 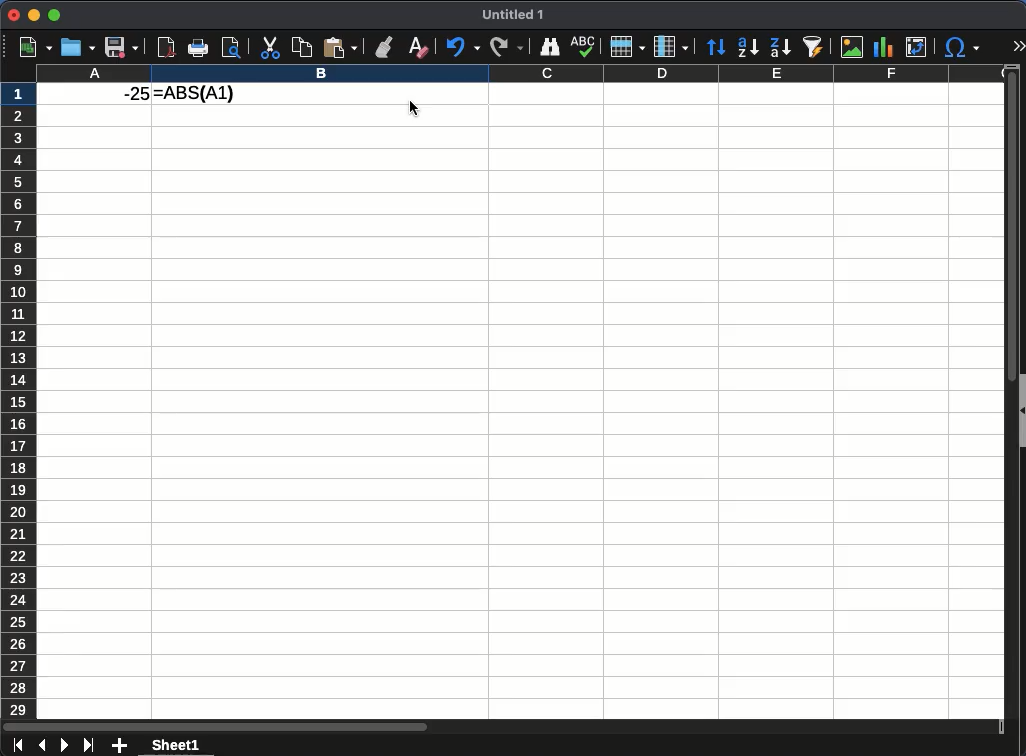 I want to click on pdf reader, so click(x=168, y=47).